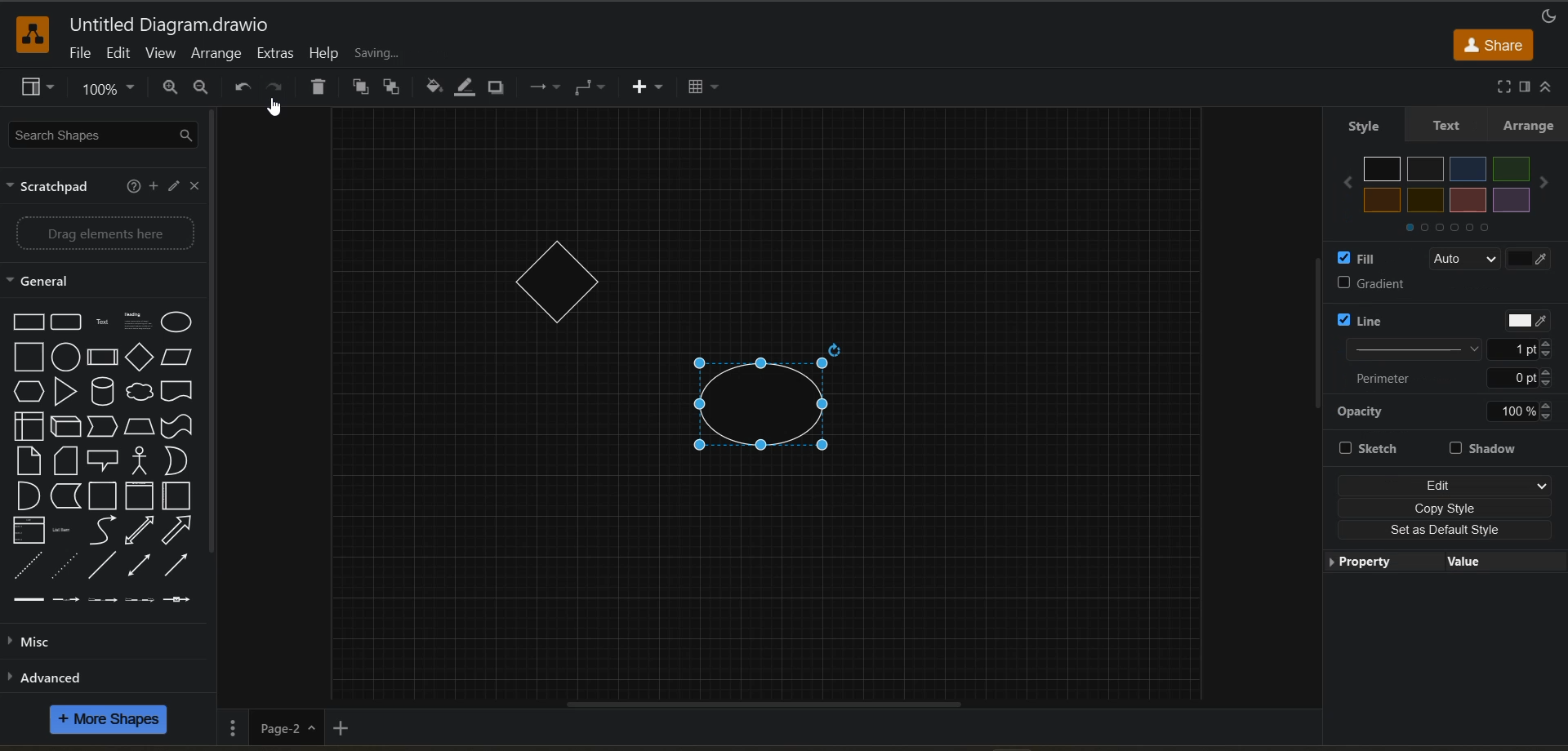  What do you see at coordinates (29, 358) in the screenshot?
I see `square` at bounding box center [29, 358].